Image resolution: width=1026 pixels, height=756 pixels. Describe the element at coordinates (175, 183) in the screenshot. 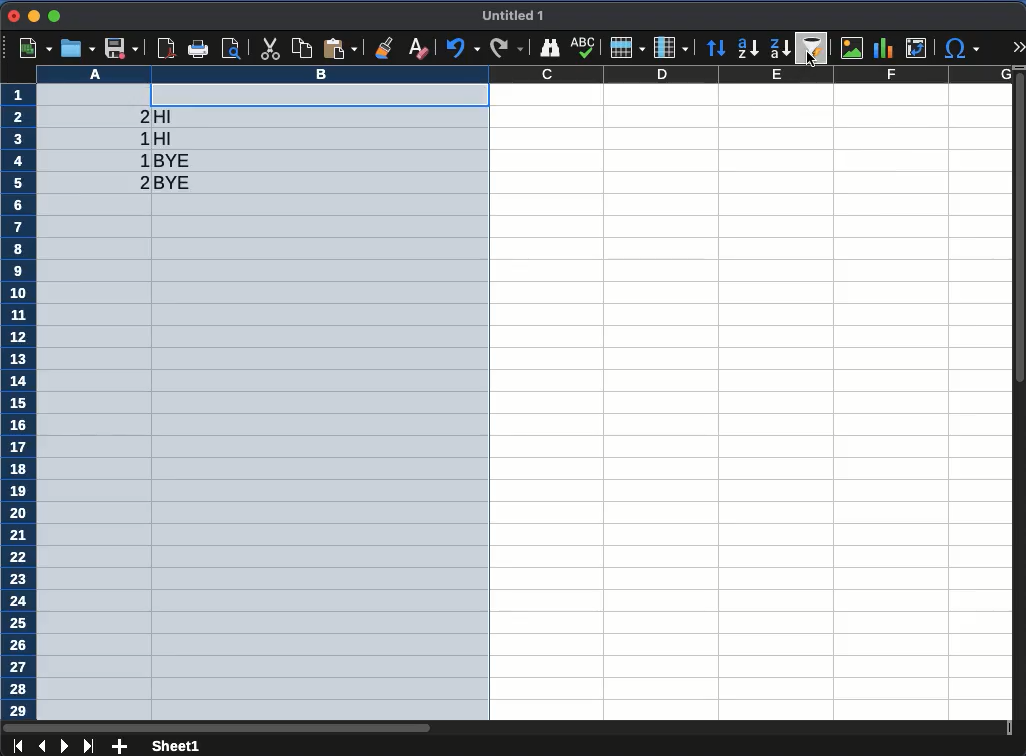

I see `bye` at that location.